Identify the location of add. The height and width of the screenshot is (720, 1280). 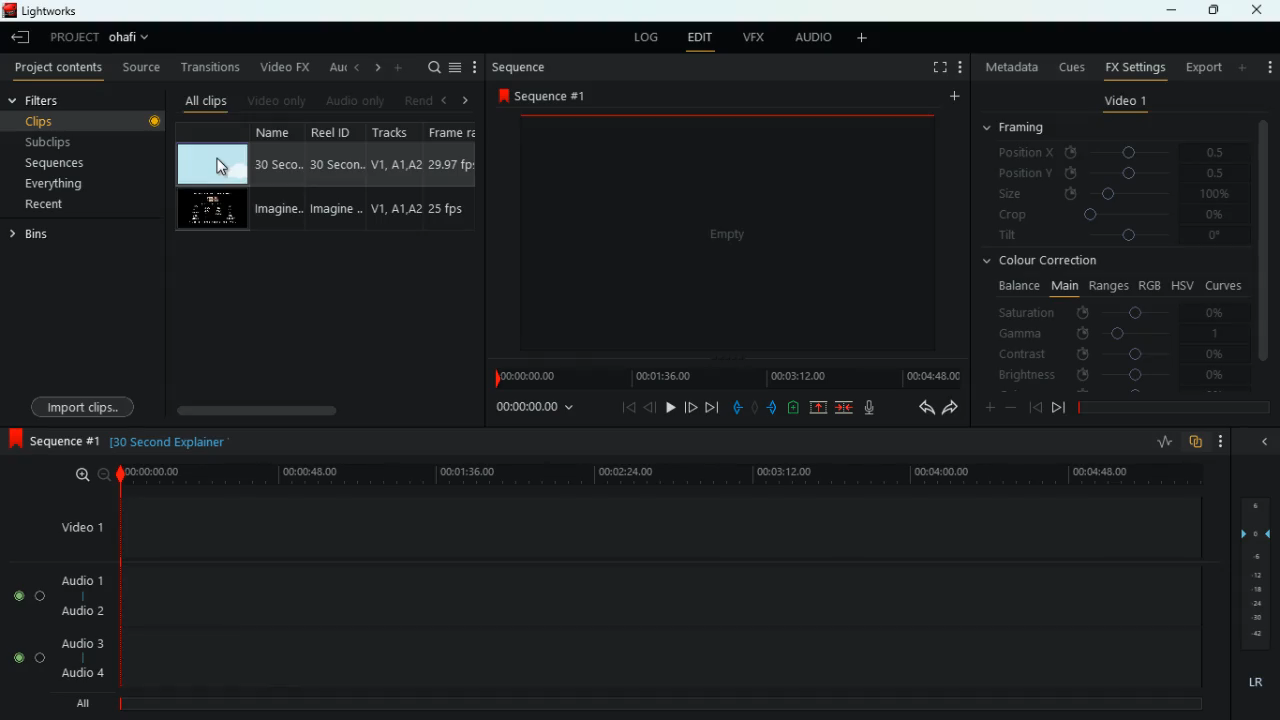
(960, 67).